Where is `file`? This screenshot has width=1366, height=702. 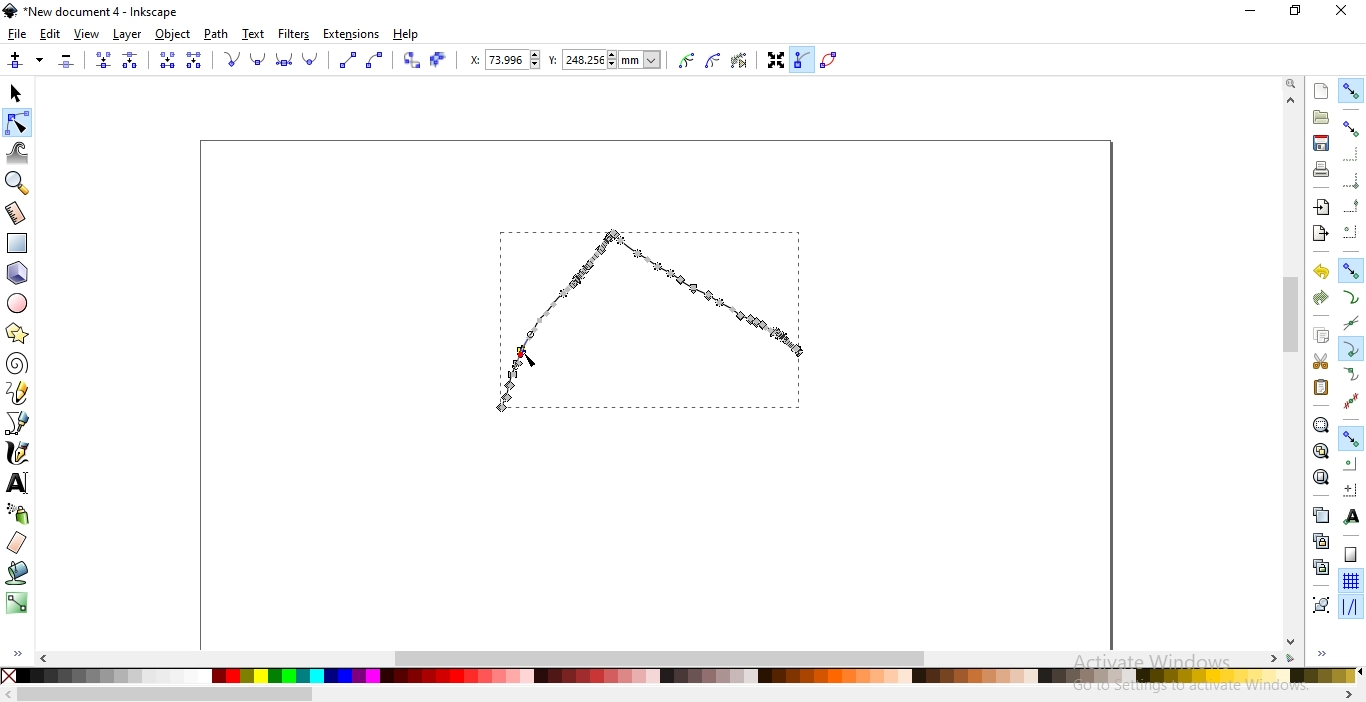 file is located at coordinates (17, 34).